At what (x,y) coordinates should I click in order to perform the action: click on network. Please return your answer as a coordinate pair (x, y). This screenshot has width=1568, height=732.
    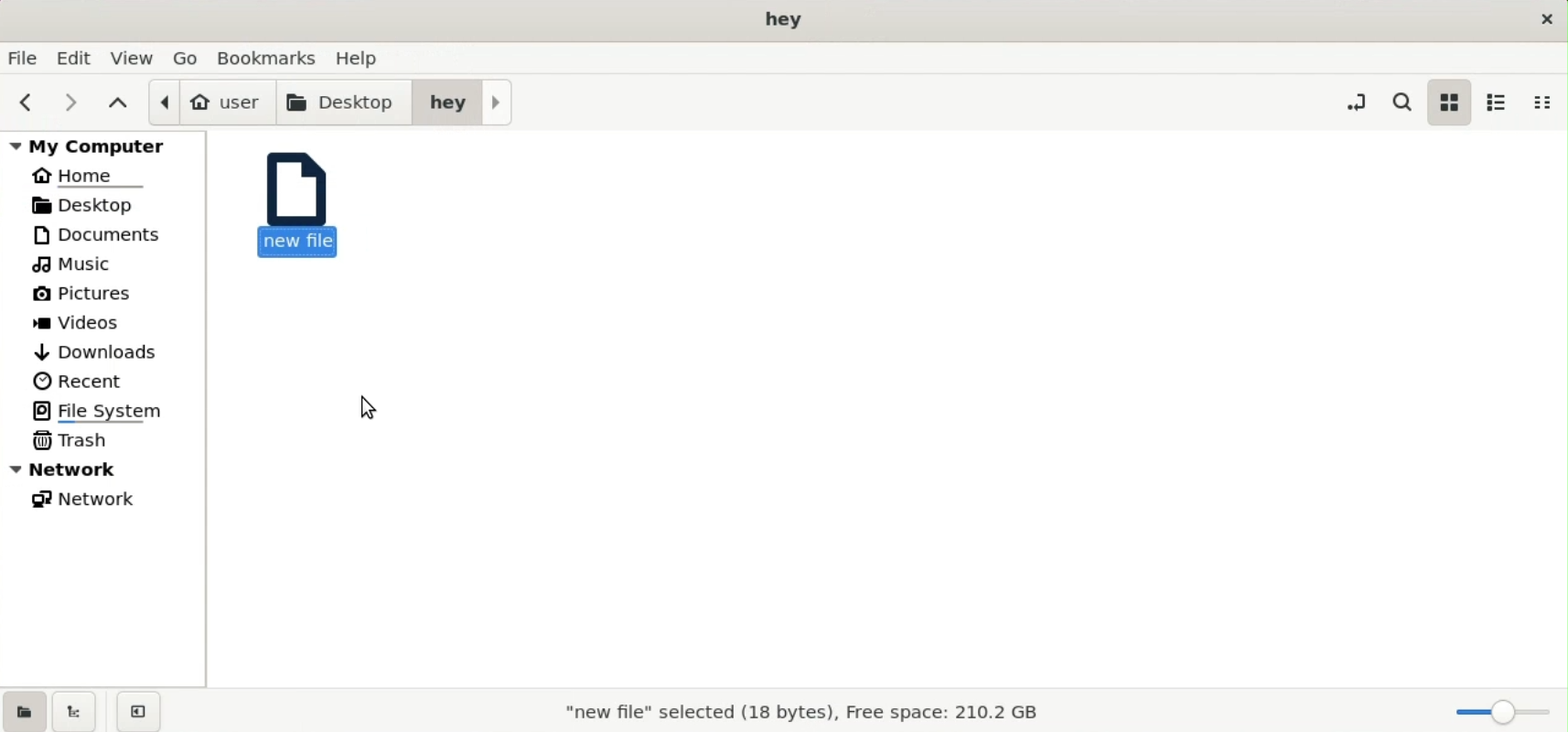
    Looking at the image, I should click on (91, 502).